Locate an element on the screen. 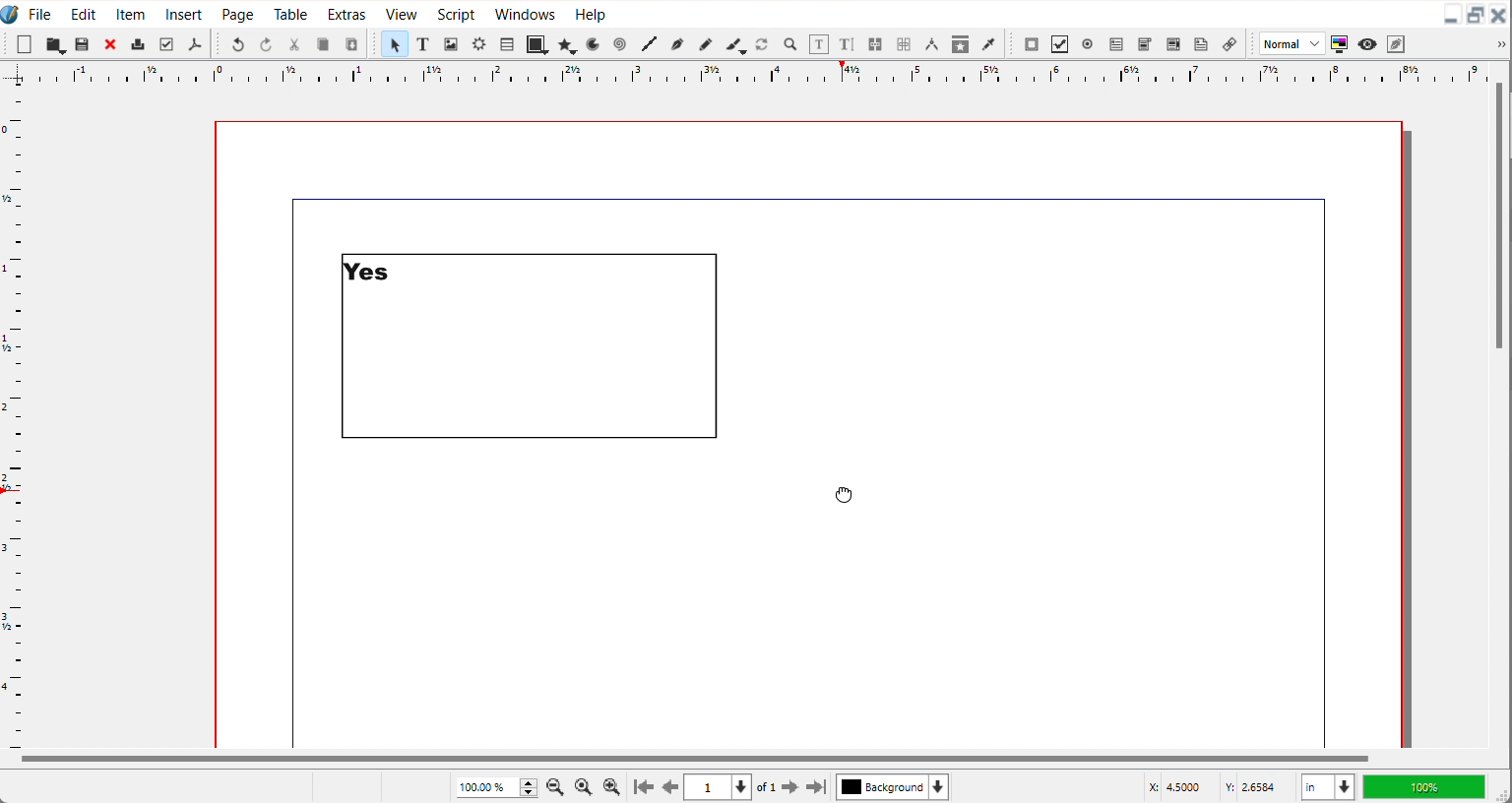 This screenshot has width=1512, height=803. Calligraphic line is located at coordinates (735, 45).